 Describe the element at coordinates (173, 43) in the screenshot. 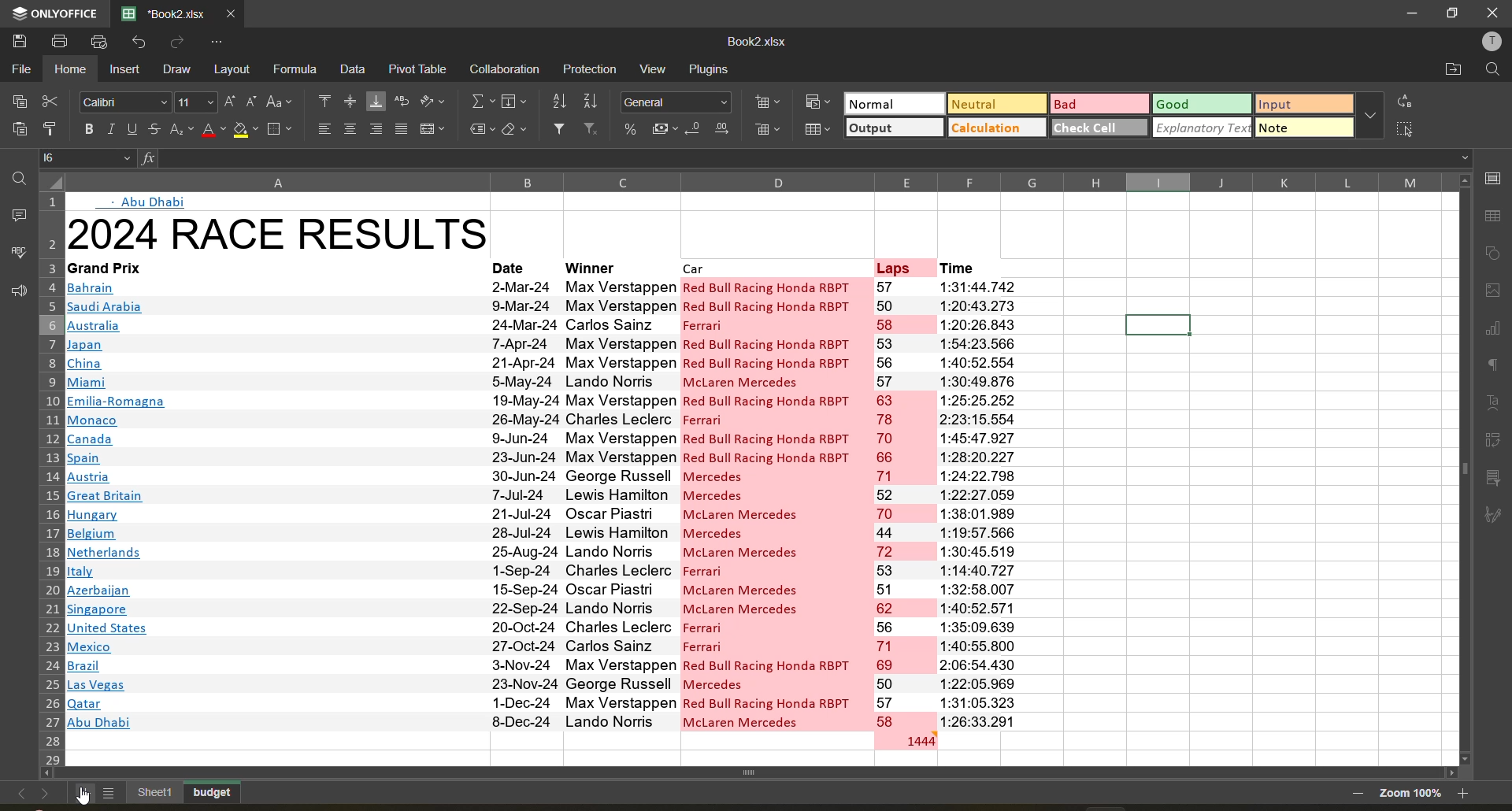

I see `redo` at that location.